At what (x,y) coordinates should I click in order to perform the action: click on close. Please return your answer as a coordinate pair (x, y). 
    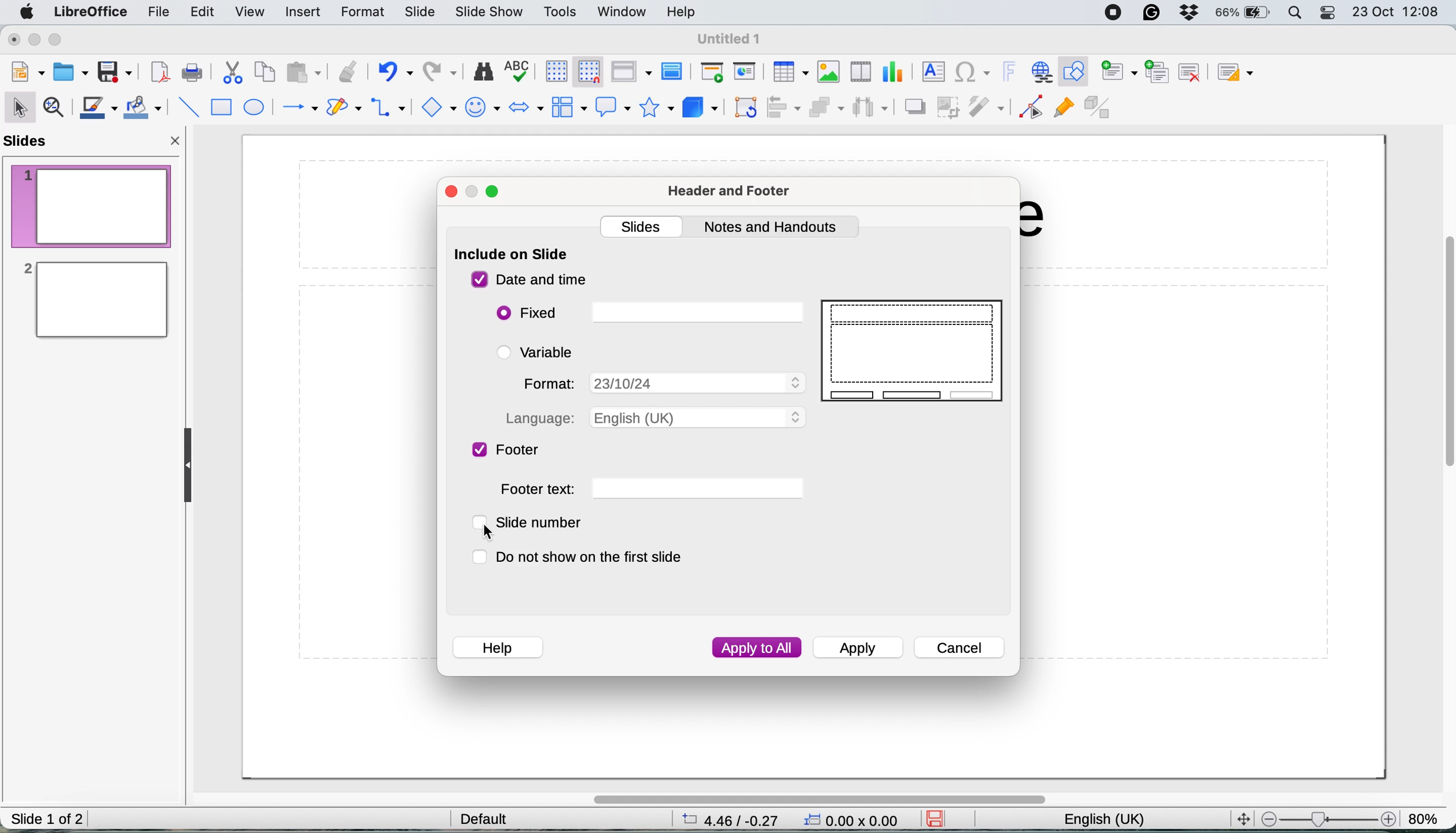
    Looking at the image, I should click on (452, 193).